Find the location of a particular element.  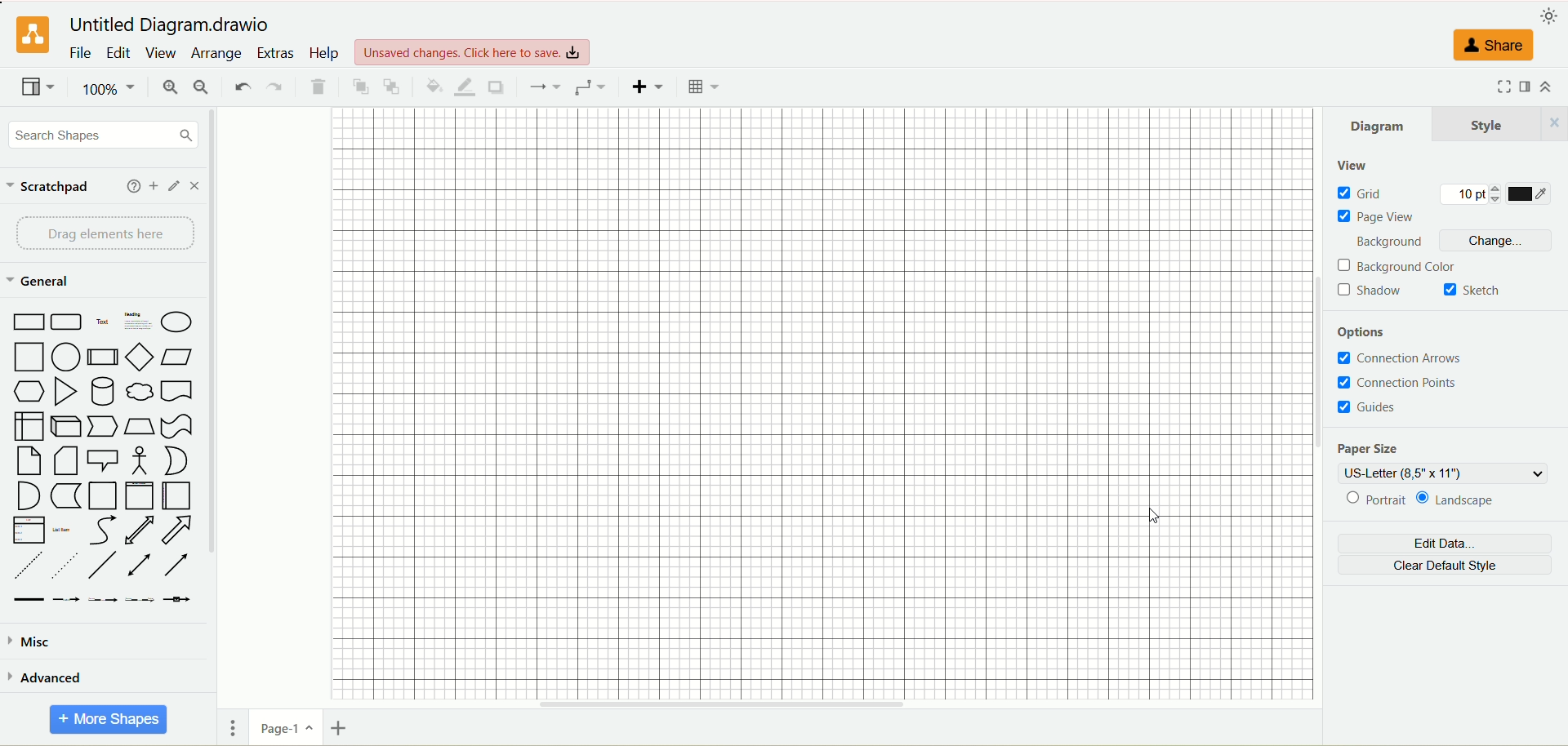

options is located at coordinates (1366, 333).